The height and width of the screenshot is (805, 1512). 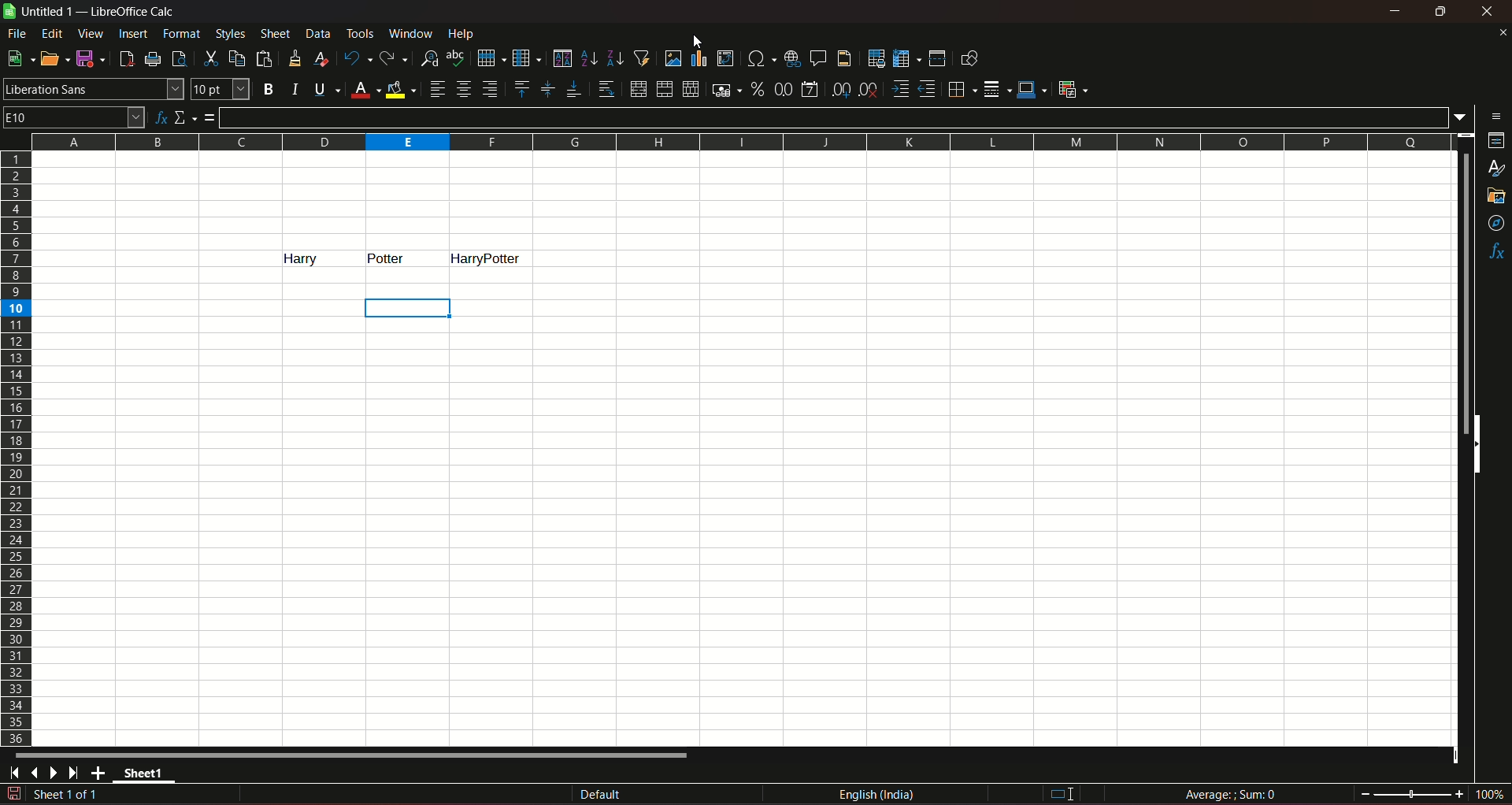 What do you see at coordinates (296, 57) in the screenshot?
I see `clone formatting` at bounding box center [296, 57].